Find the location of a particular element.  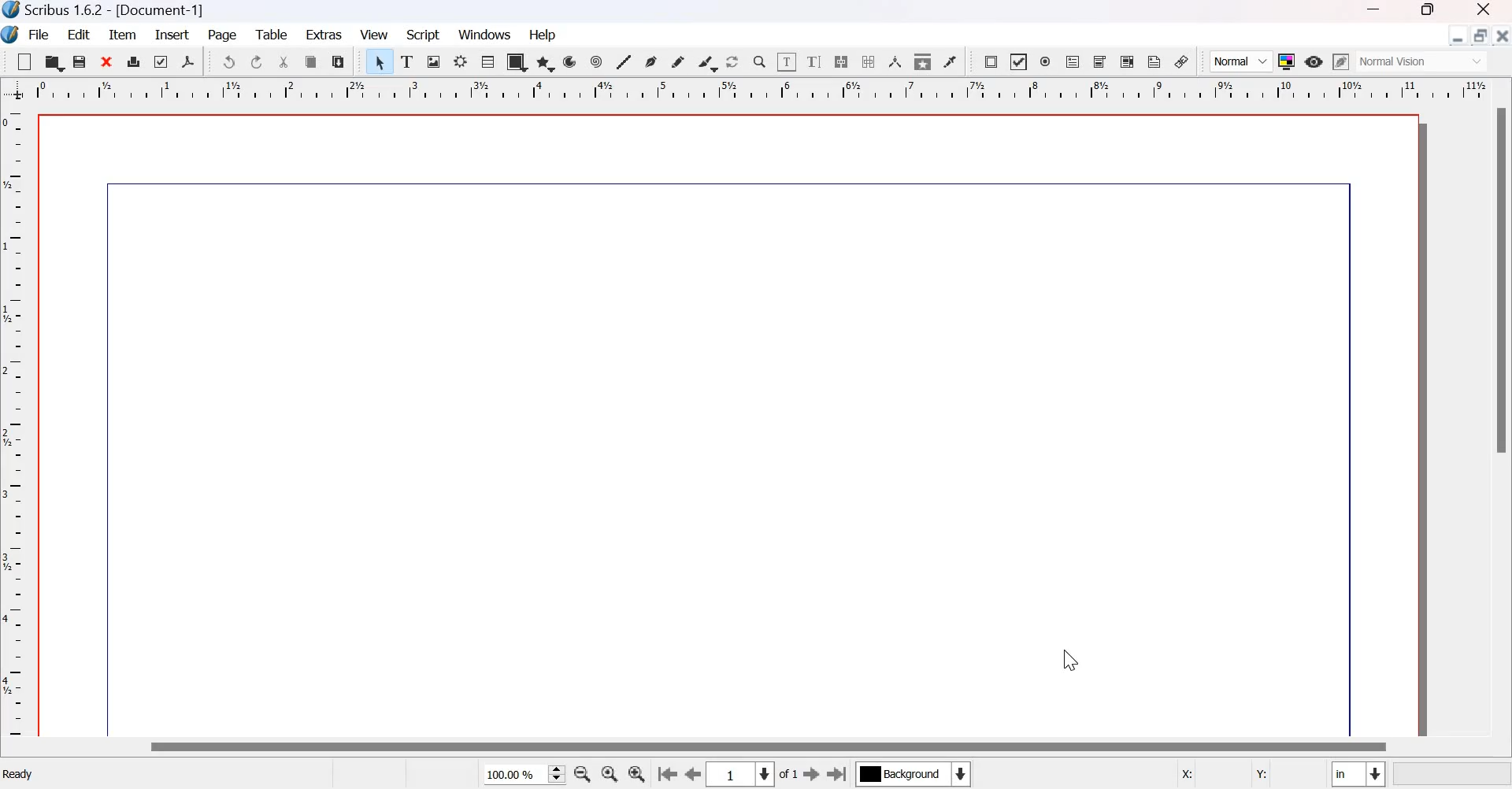

scrollbar is located at coordinates (769, 744).